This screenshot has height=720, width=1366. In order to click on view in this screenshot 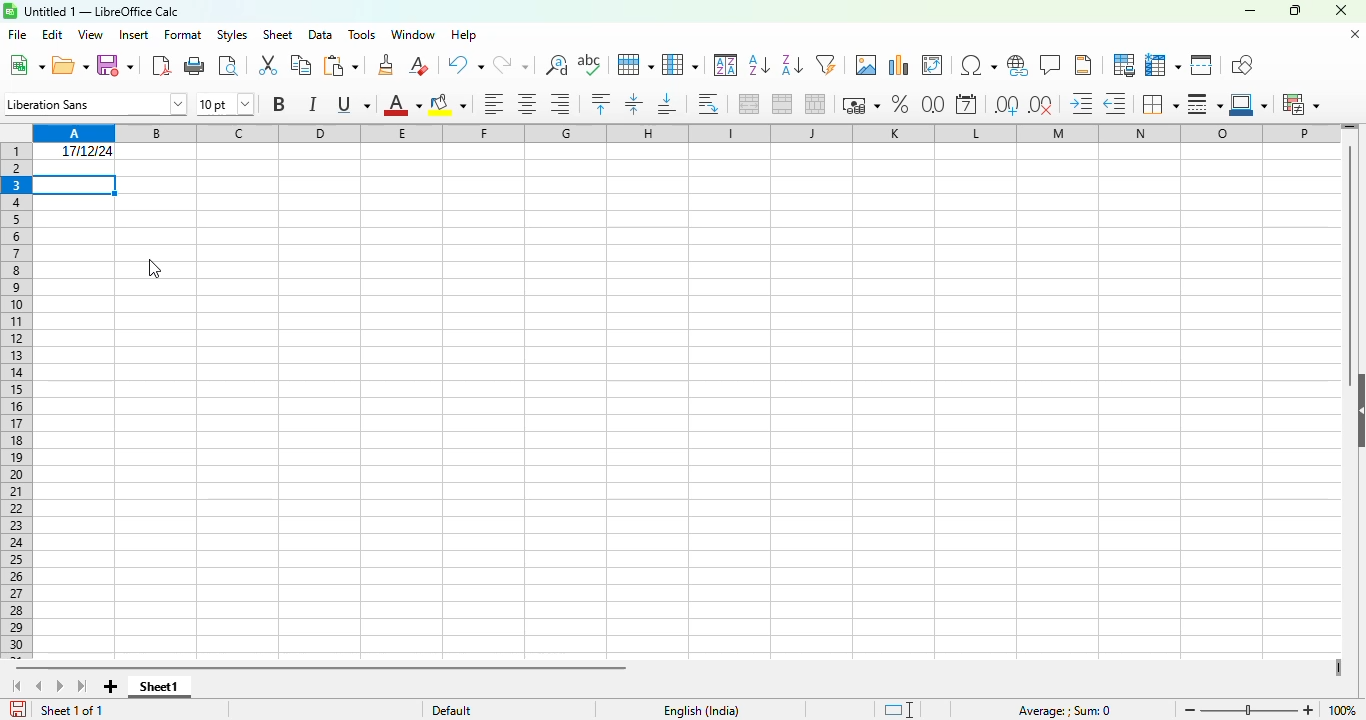, I will do `click(91, 34)`.